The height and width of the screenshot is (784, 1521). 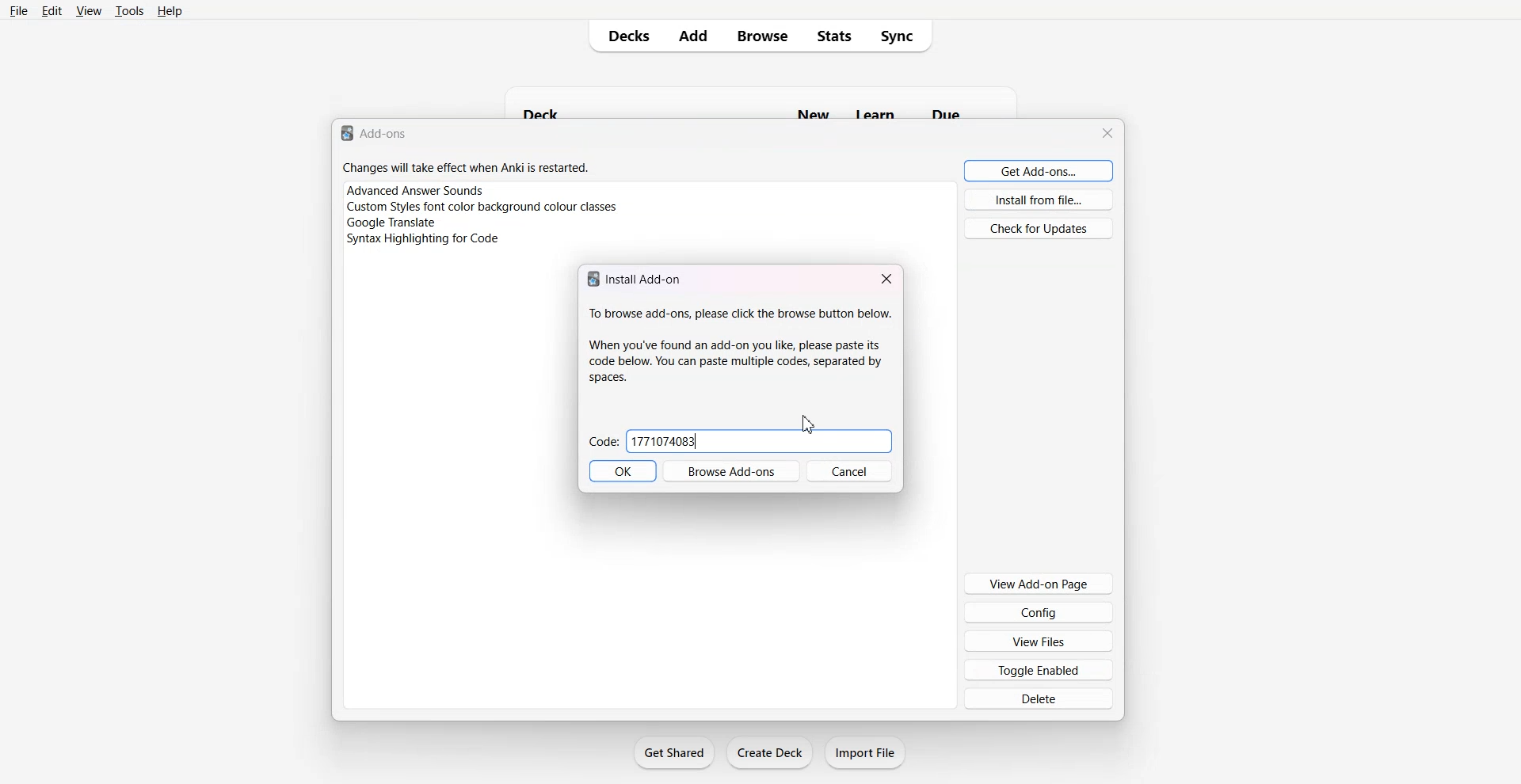 What do you see at coordinates (466, 167) in the screenshot?
I see `changes will take effect when Anki is restarted.` at bounding box center [466, 167].